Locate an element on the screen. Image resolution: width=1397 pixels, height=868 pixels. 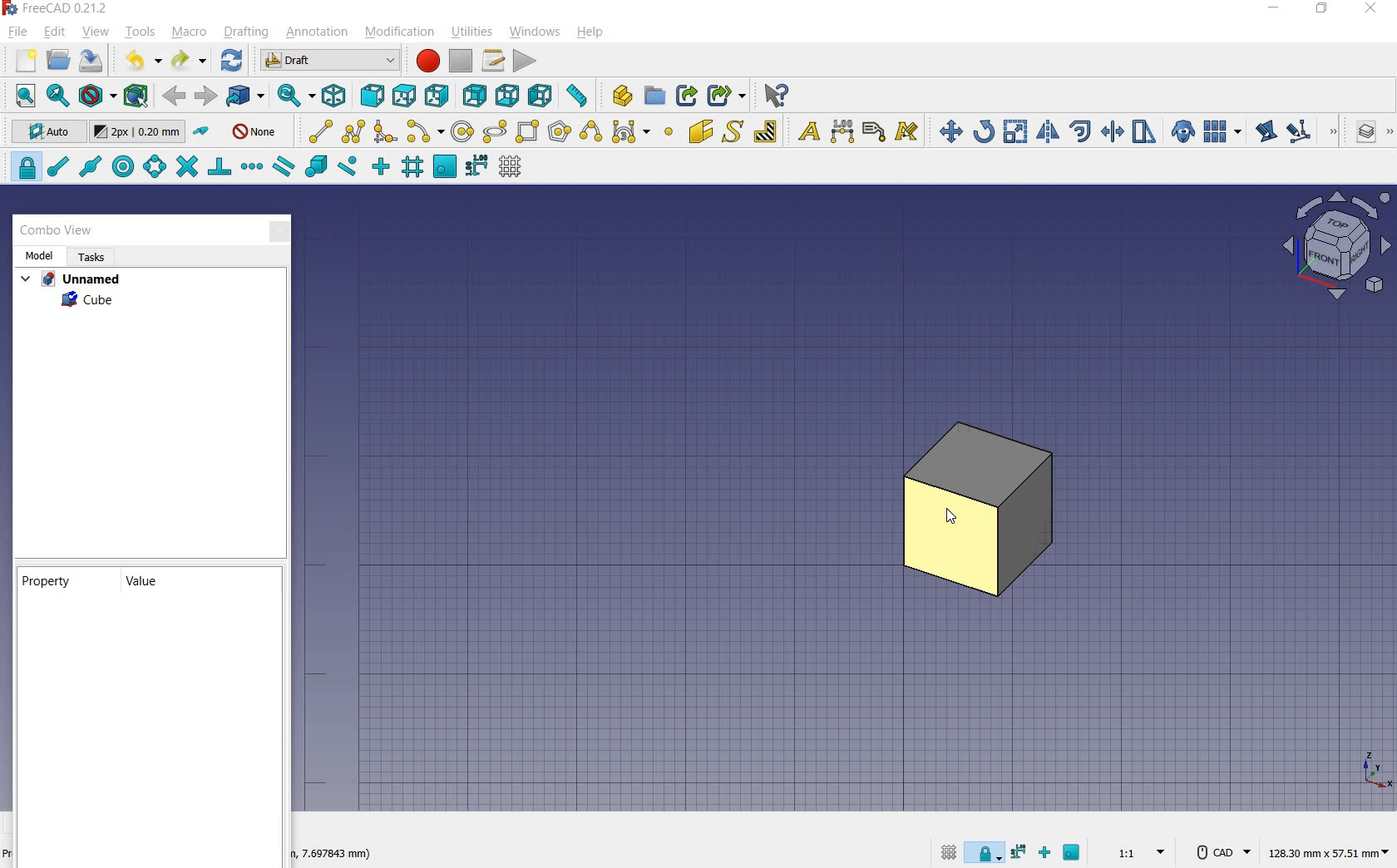
fit selection is located at coordinates (57, 95).